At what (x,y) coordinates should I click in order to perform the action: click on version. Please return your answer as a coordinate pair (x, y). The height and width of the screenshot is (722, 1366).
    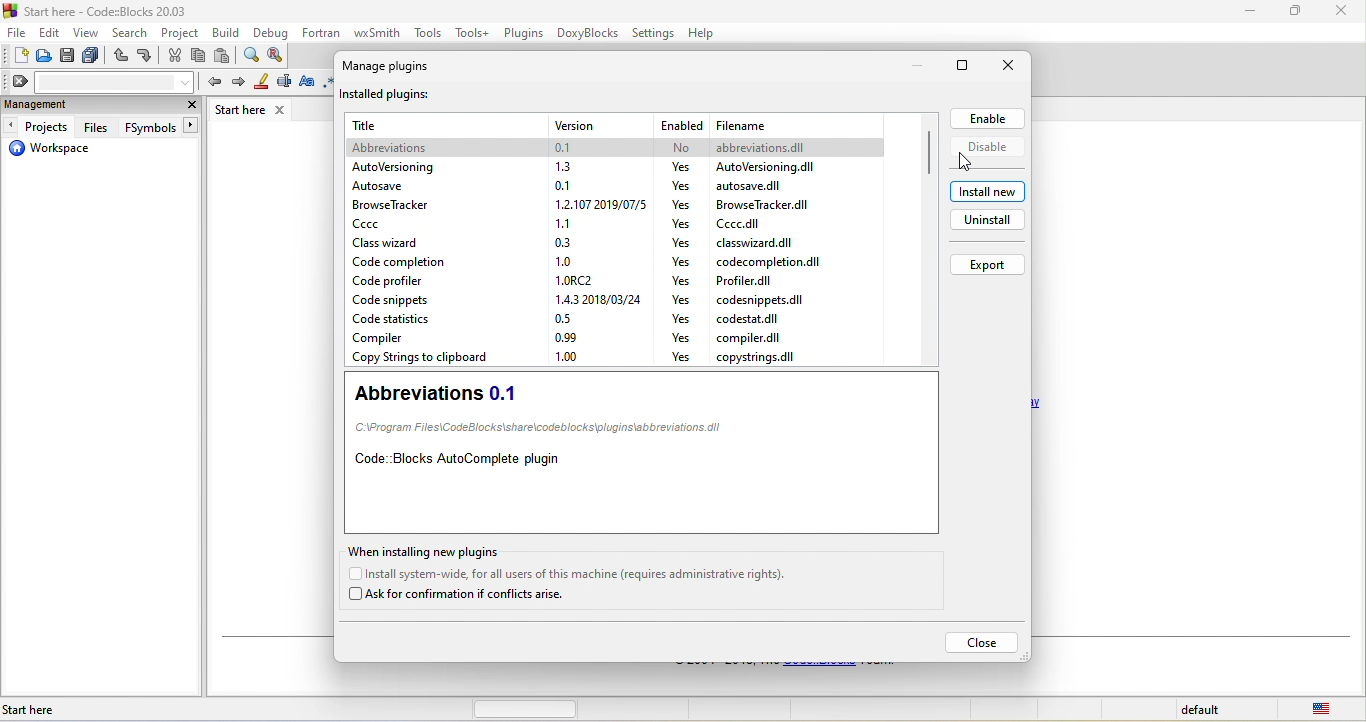
    Looking at the image, I should click on (563, 222).